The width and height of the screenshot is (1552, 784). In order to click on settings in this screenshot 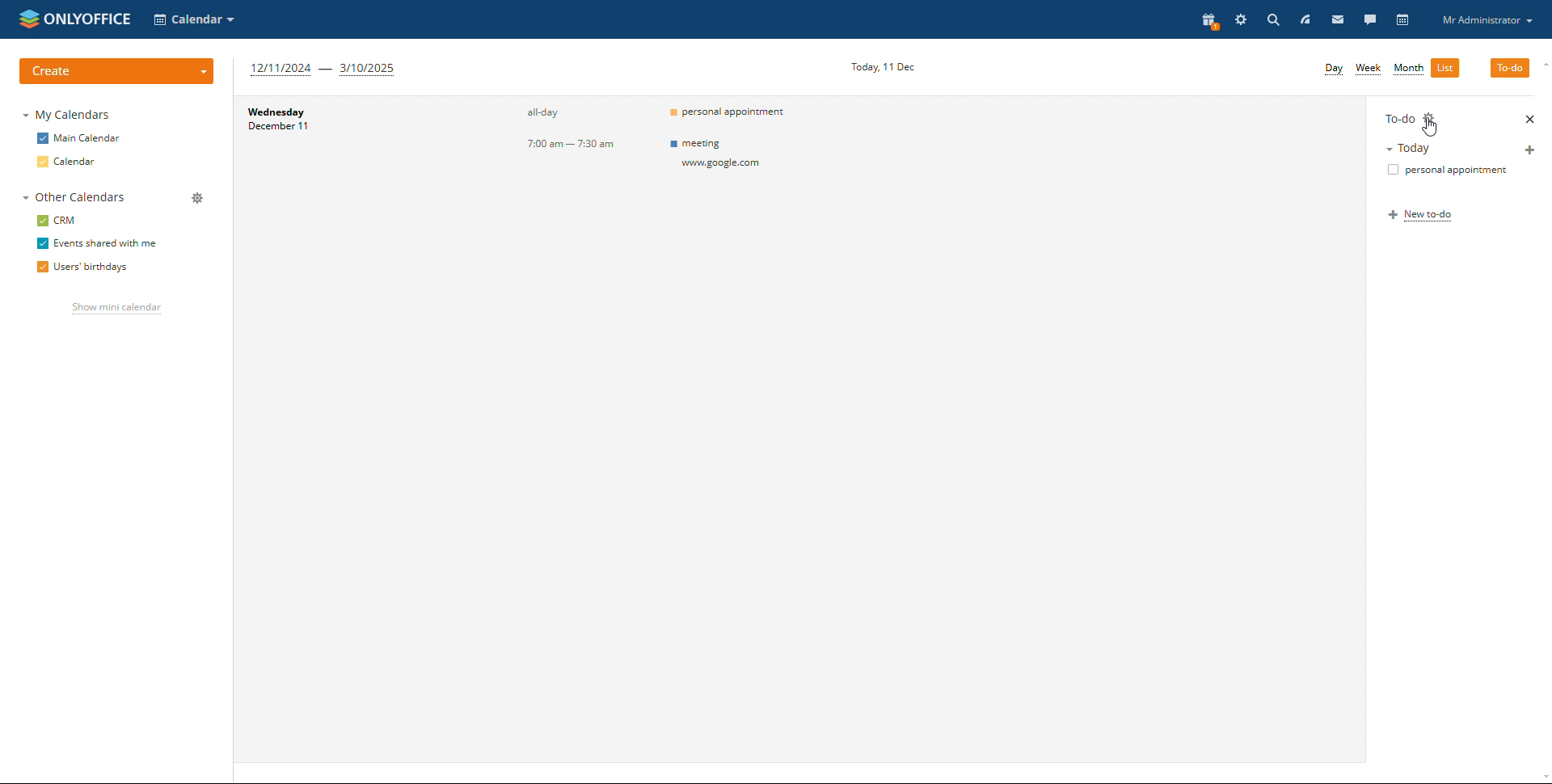, I will do `click(1242, 20)`.